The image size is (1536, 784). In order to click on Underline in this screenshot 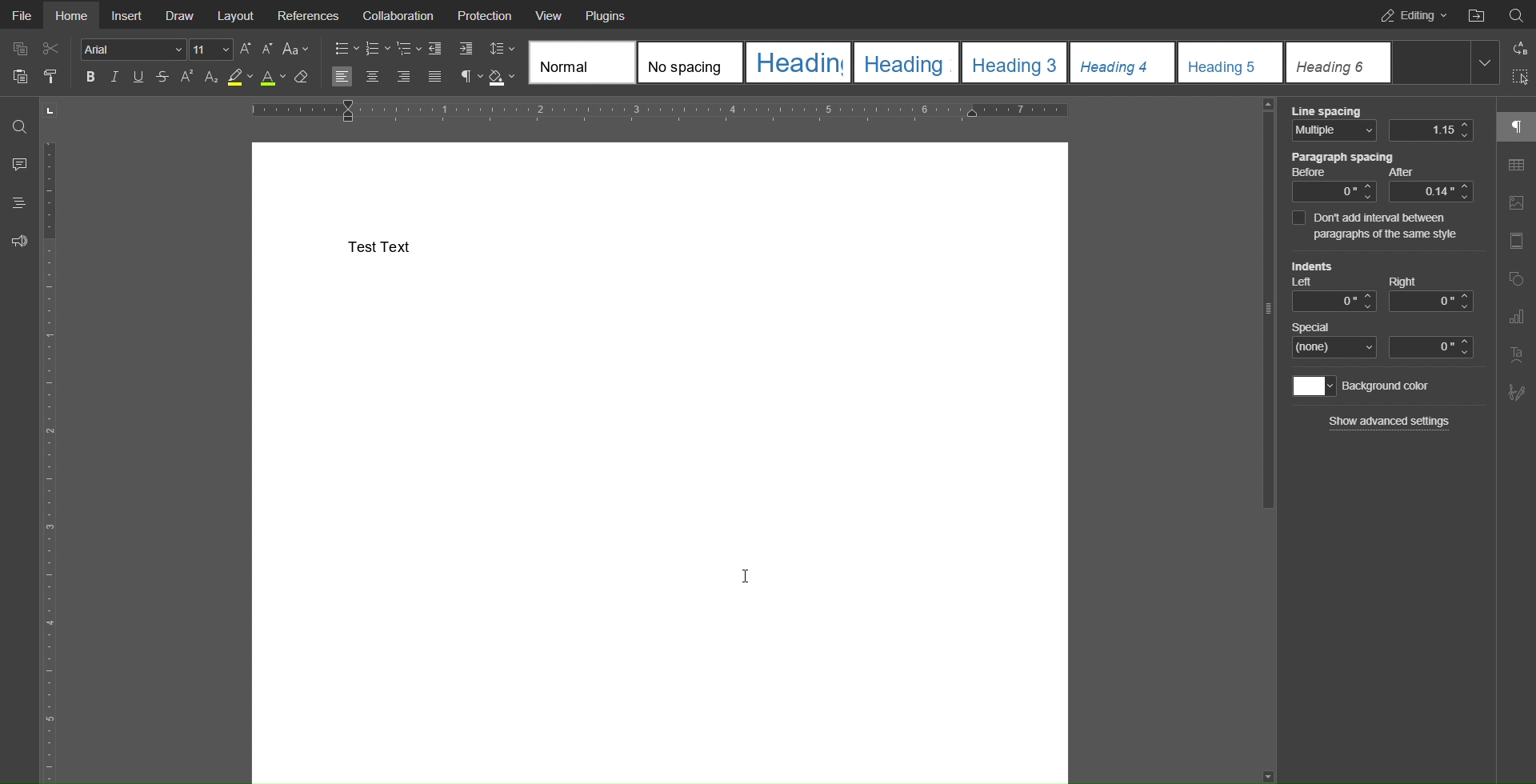, I will do `click(137, 77)`.